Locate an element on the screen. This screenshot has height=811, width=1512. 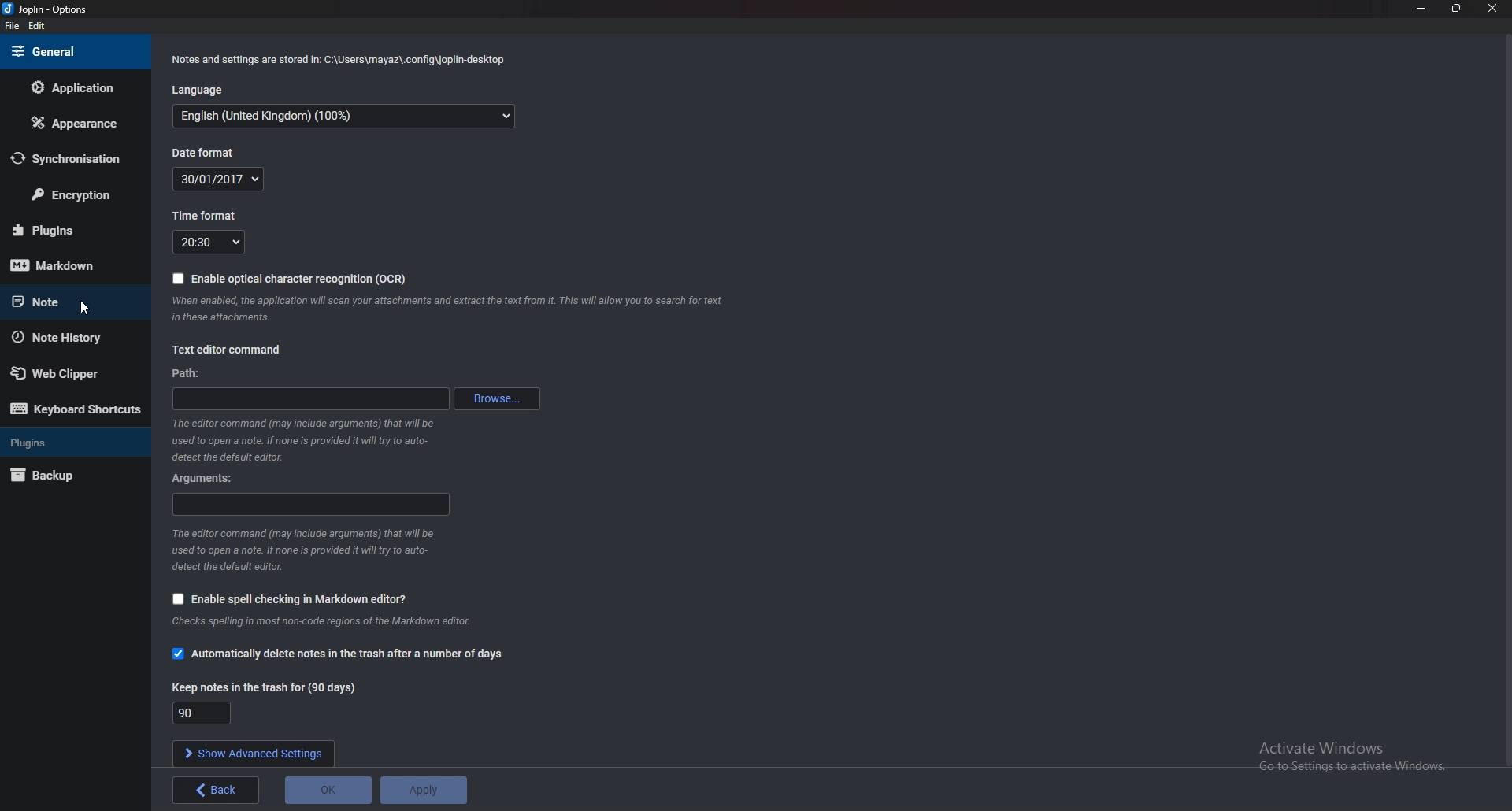
Application is located at coordinates (71, 87).